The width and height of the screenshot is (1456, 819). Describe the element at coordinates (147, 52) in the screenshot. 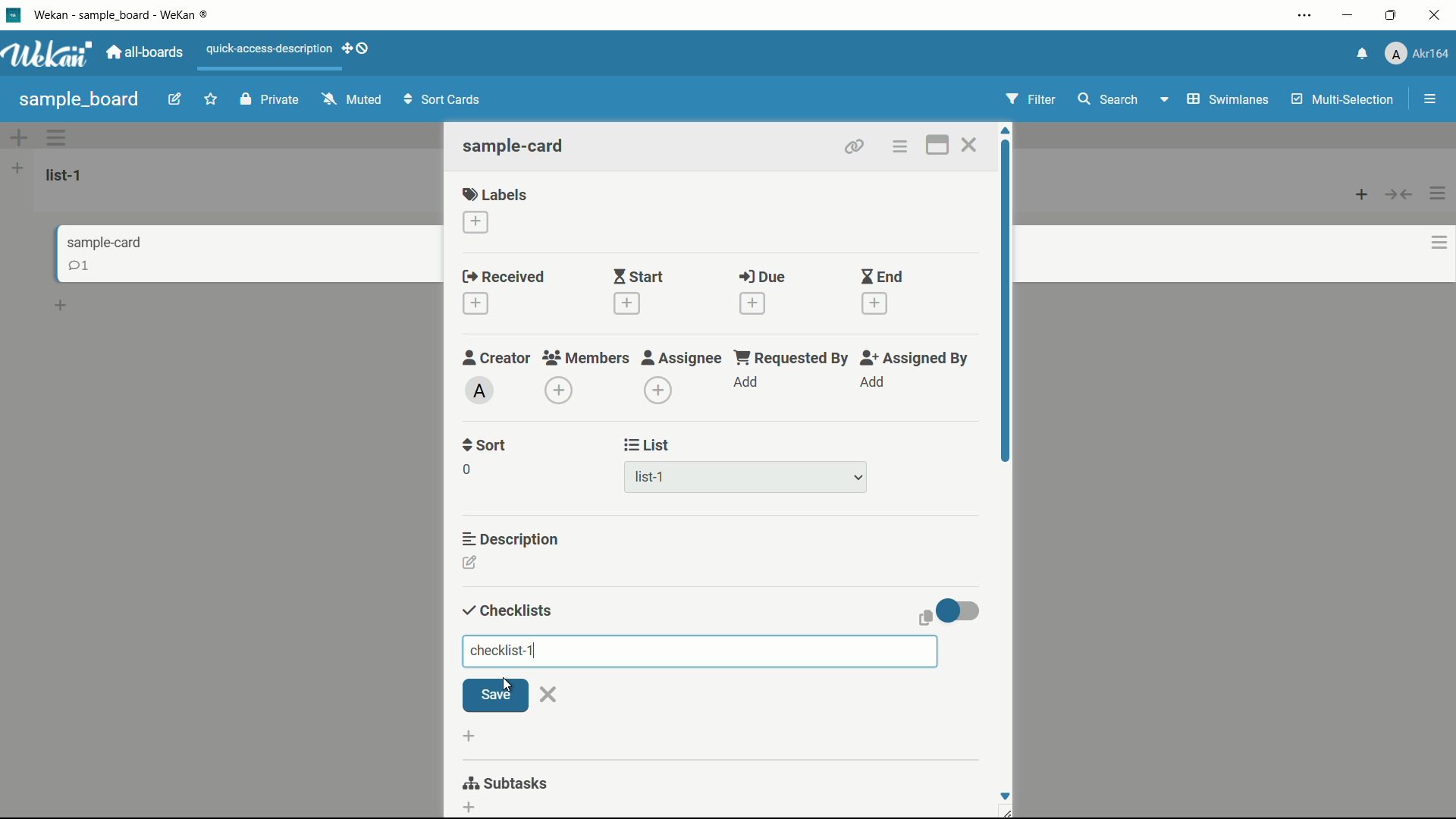

I see `all boards` at that location.